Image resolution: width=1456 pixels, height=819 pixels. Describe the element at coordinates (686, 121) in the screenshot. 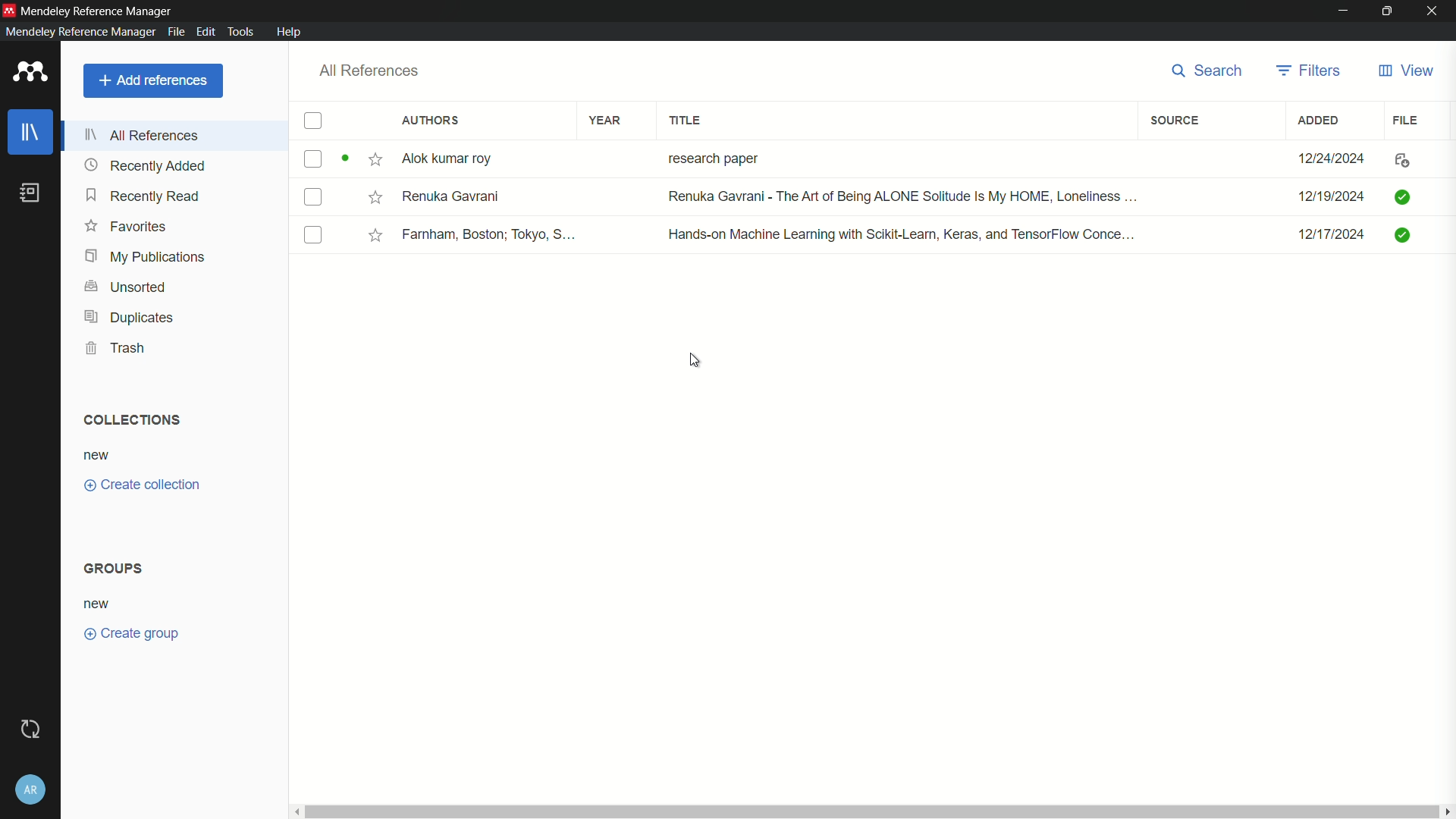

I see `title` at that location.